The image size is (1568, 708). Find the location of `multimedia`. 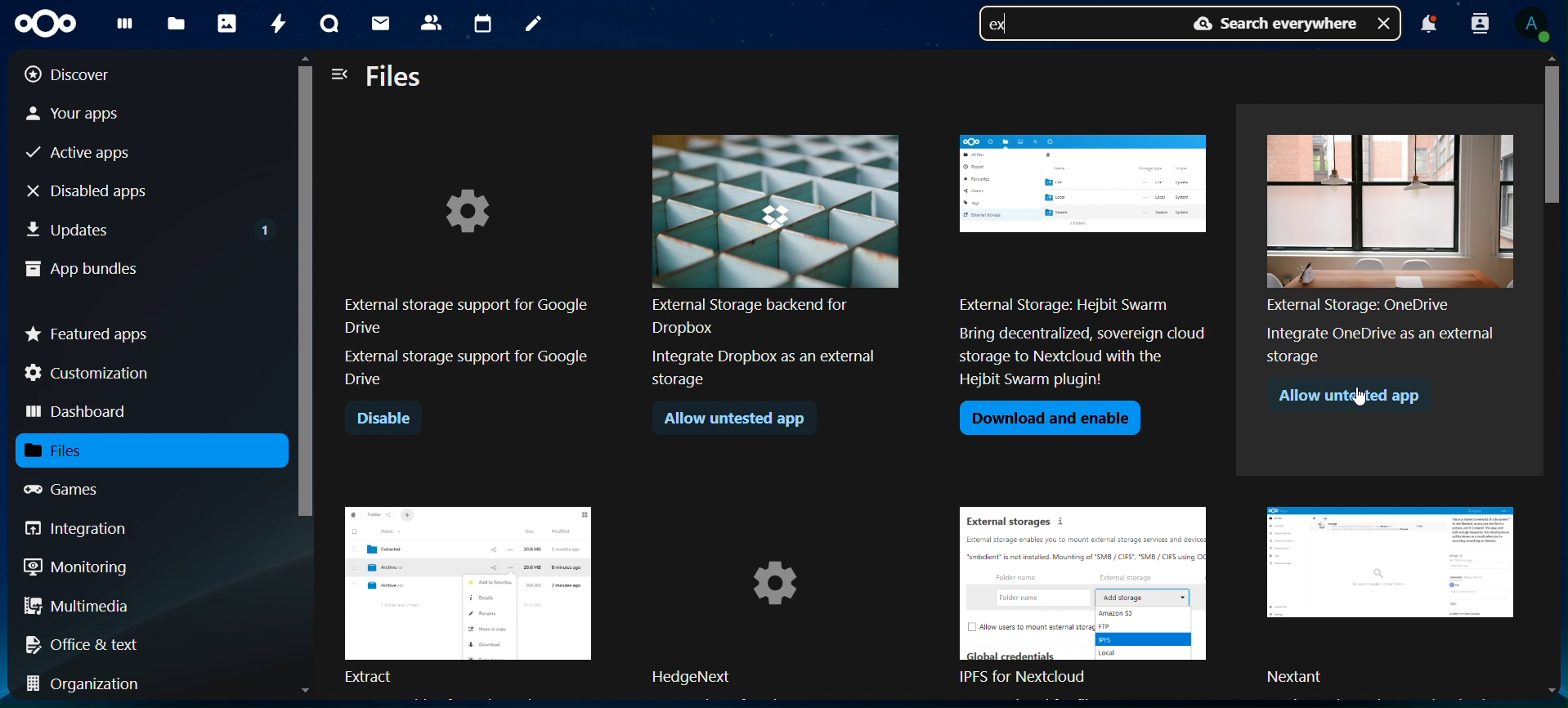

multimedia is located at coordinates (78, 608).